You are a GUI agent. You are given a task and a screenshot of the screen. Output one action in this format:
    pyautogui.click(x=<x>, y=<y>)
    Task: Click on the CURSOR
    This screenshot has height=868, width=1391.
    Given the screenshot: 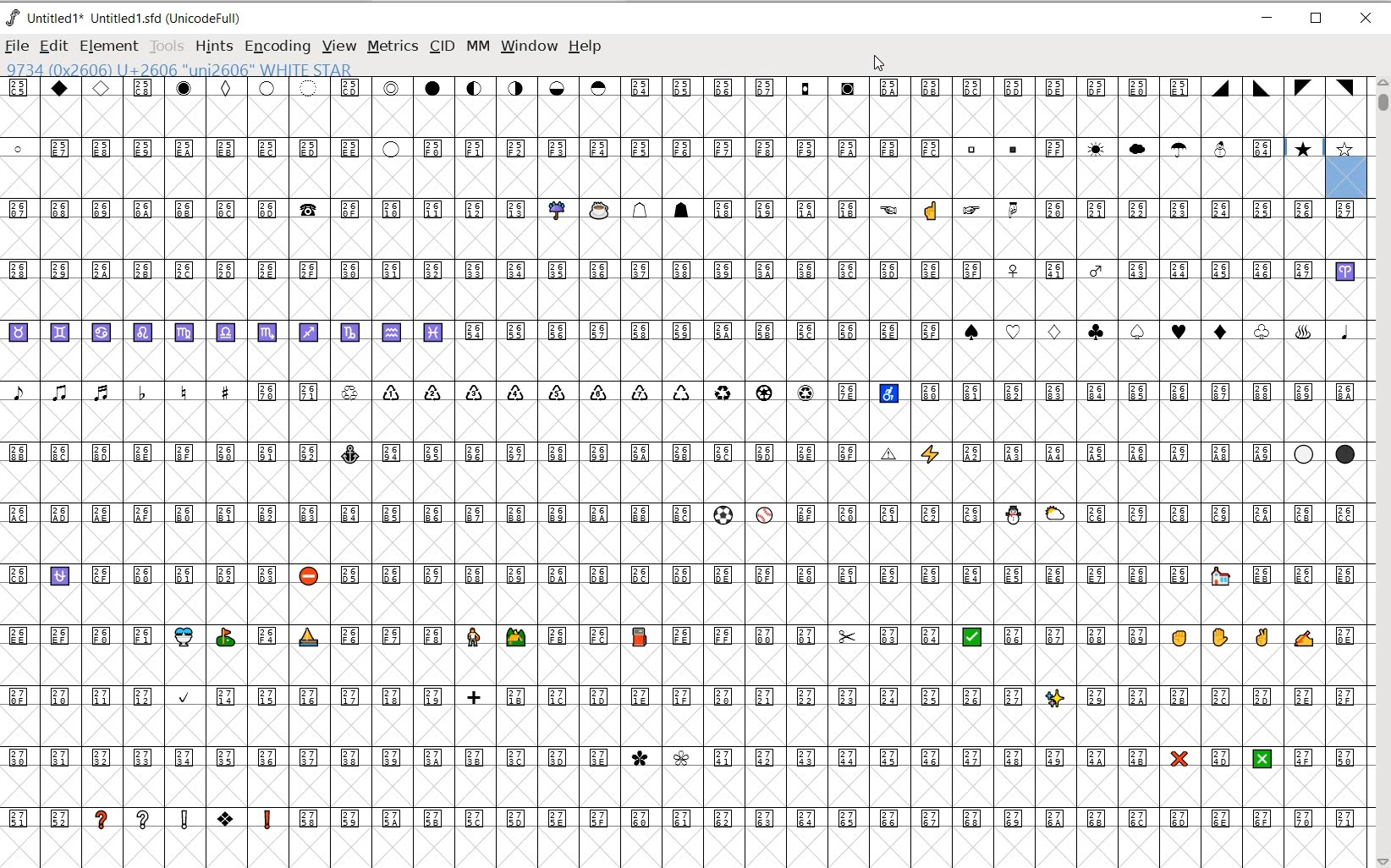 What is the action you would take?
    pyautogui.click(x=879, y=64)
    